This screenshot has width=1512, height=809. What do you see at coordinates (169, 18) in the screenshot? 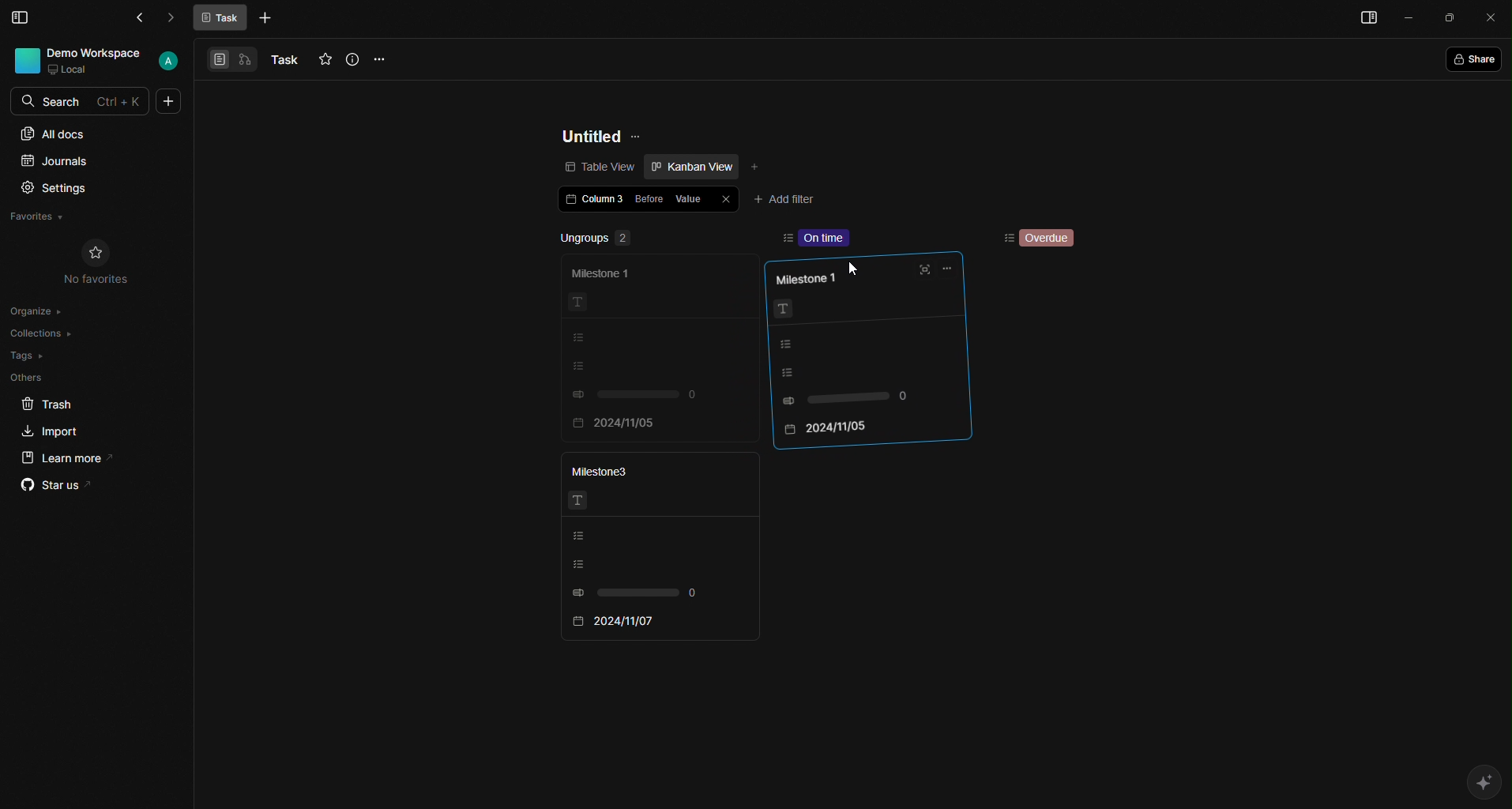
I see `Forward` at bounding box center [169, 18].